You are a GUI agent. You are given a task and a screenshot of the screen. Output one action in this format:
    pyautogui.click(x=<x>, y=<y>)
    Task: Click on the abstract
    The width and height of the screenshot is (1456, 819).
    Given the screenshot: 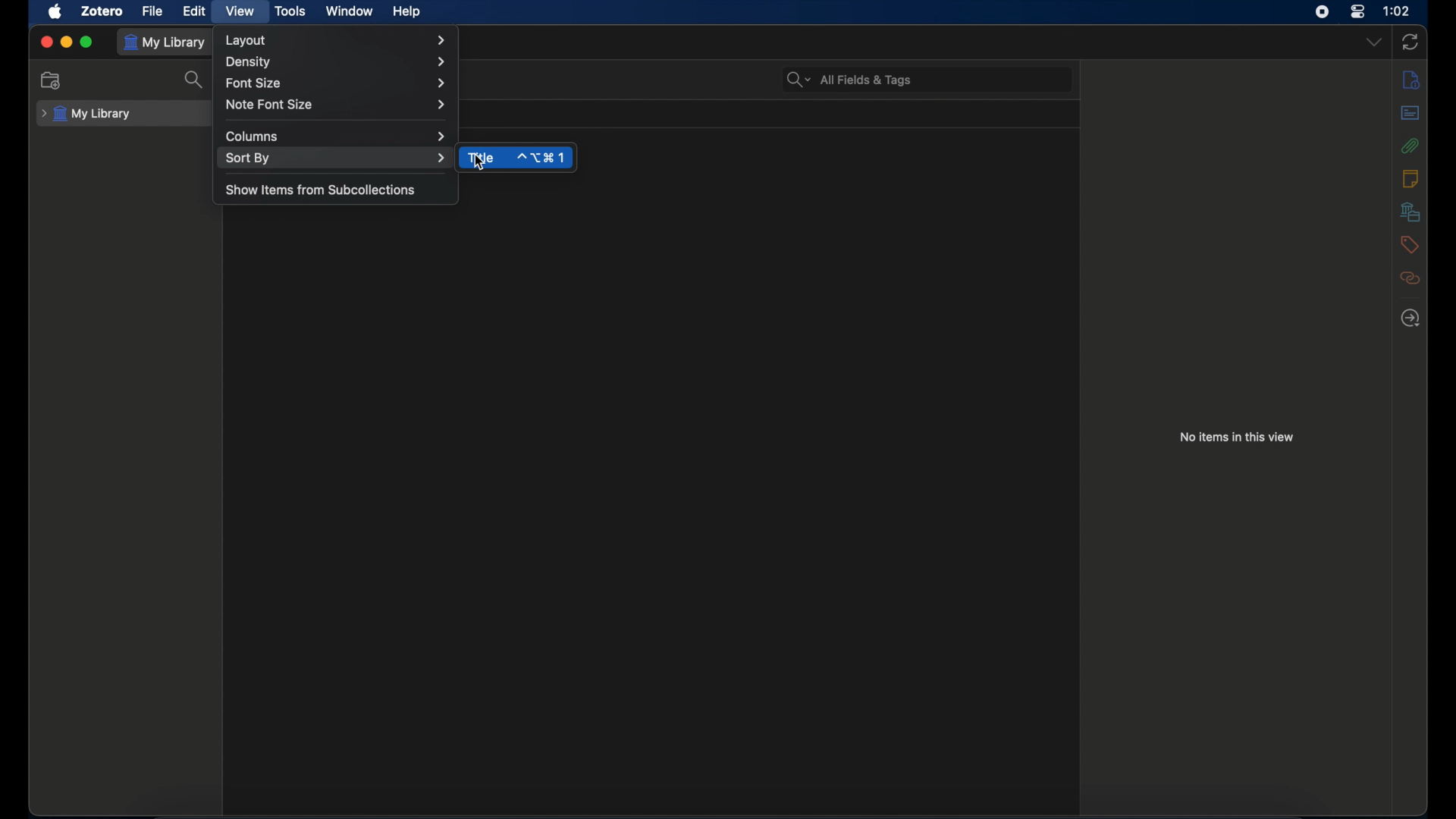 What is the action you would take?
    pyautogui.click(x=1411, y=112)
    